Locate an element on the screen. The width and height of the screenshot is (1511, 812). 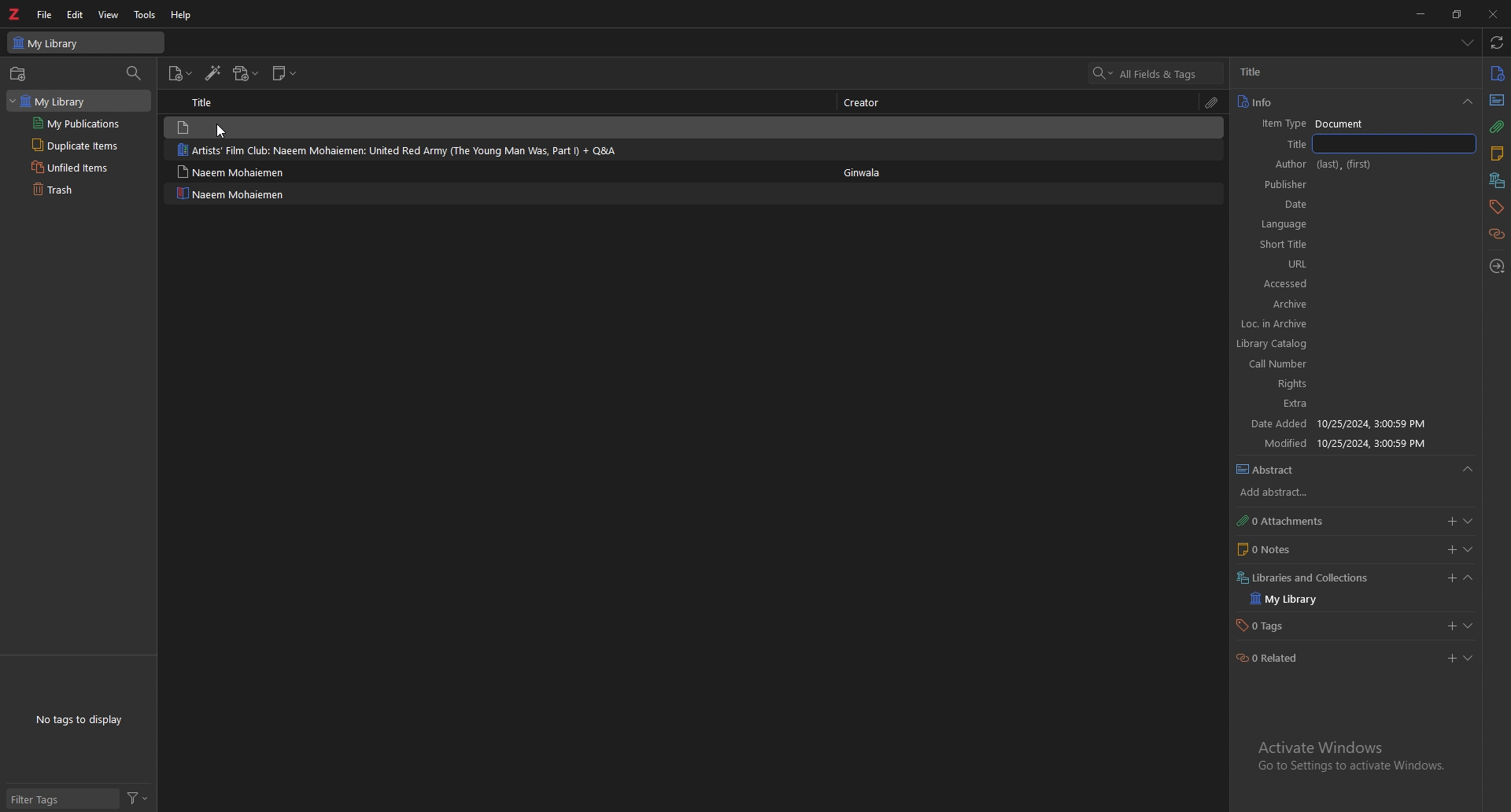
search bar is located at coordinates (1156, 73).